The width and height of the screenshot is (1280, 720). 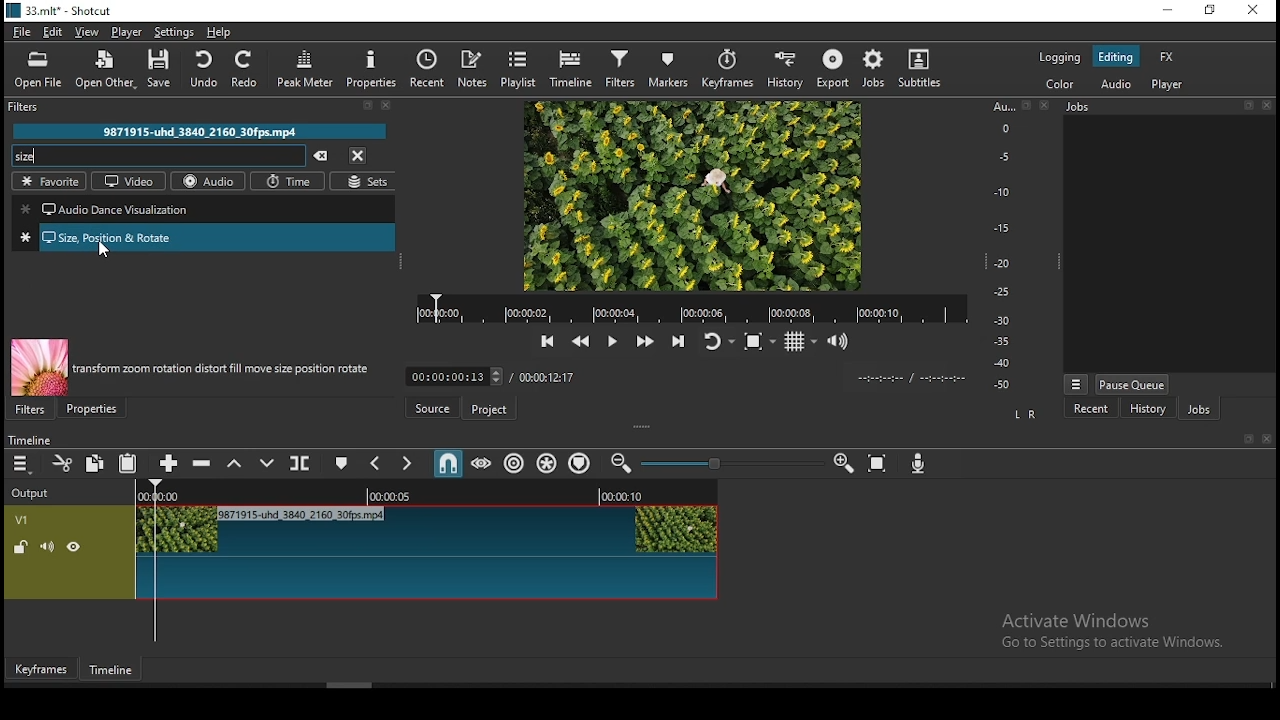 I want to click on / 00:00:12:17, so click(x=543, y=377).